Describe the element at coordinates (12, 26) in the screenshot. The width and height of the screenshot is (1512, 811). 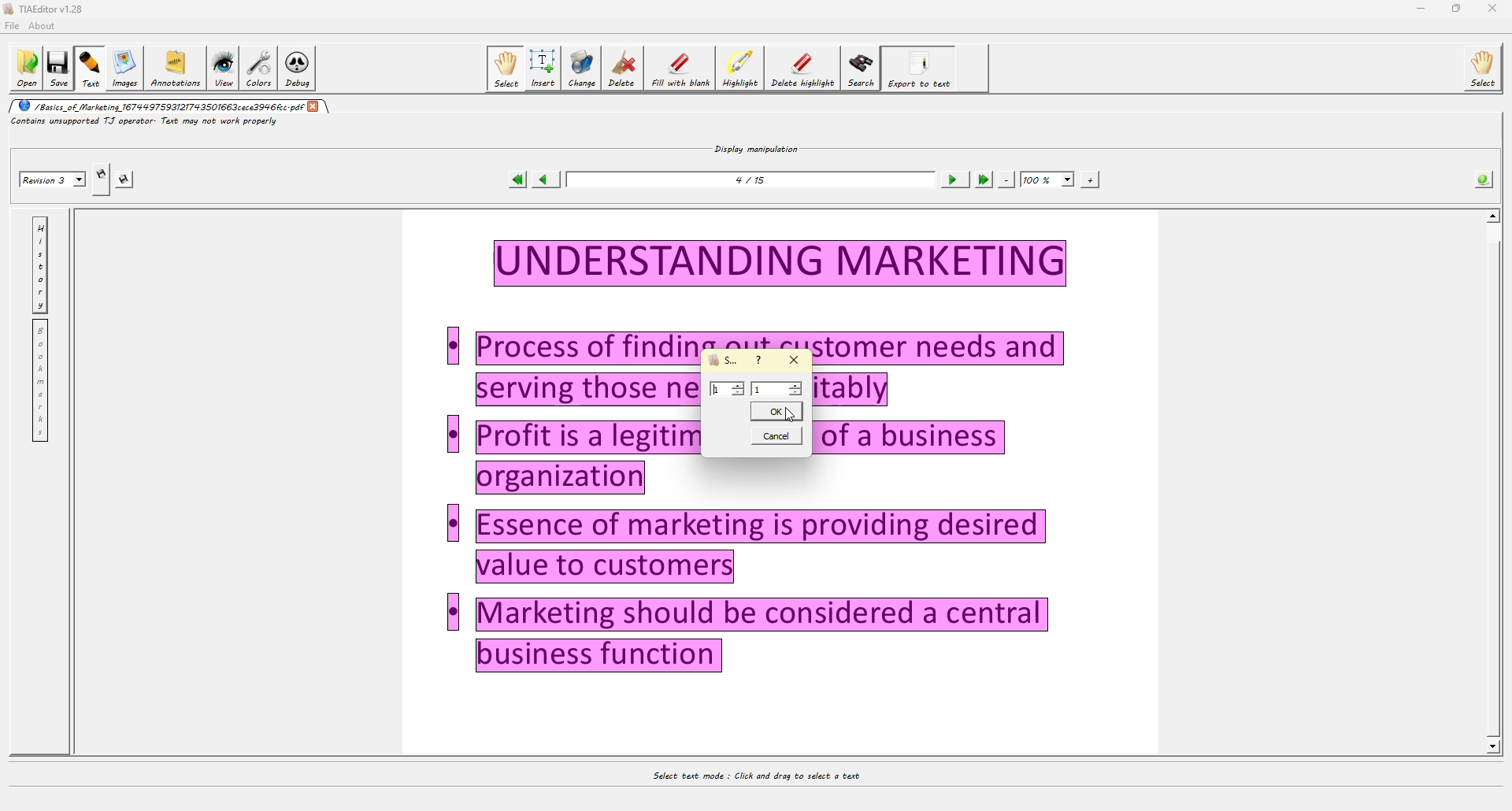
I see `file` at that location.